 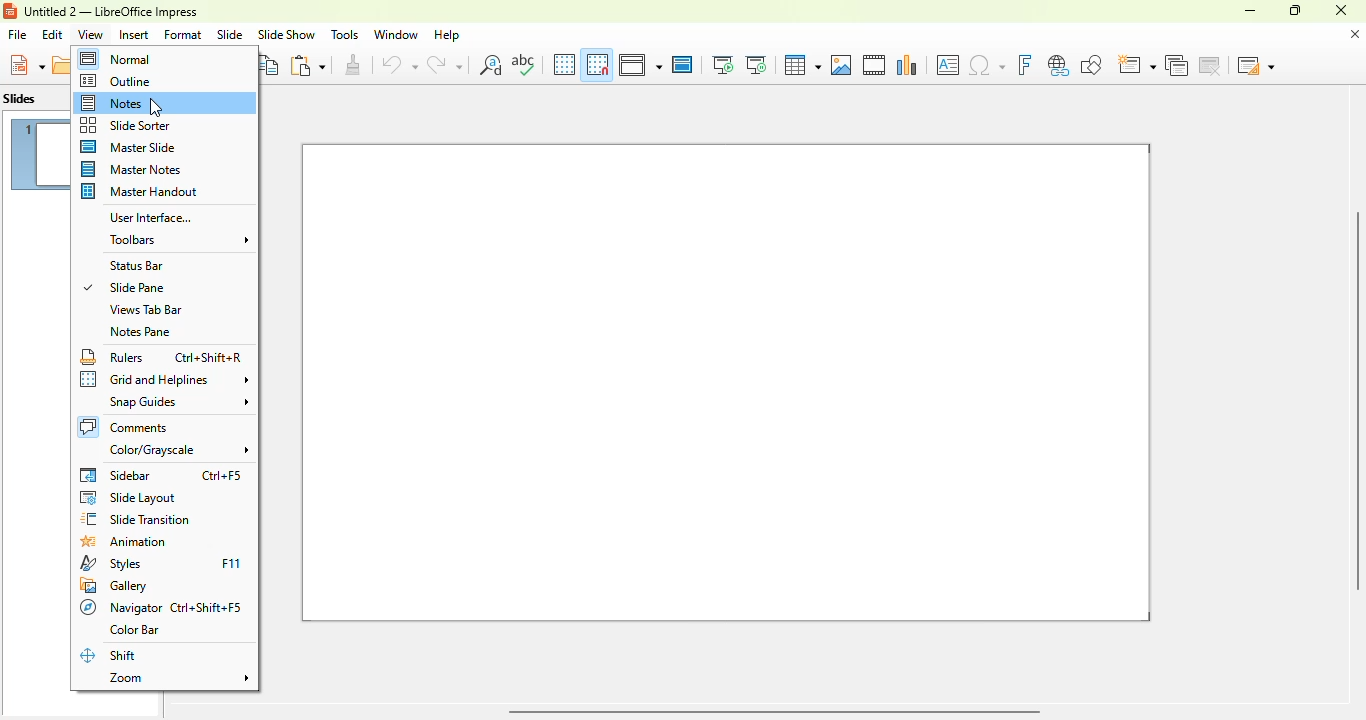 I want to click on slide, so click(x=230, y=34).